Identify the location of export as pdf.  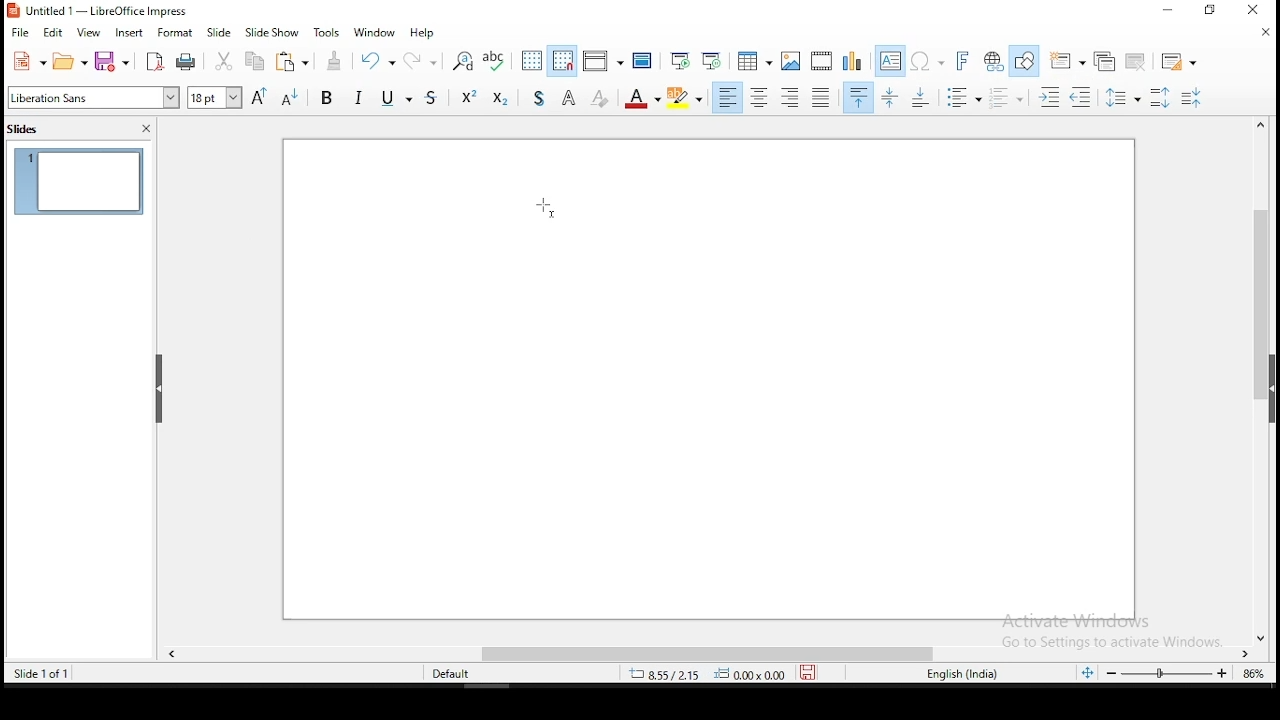
(156, 62).